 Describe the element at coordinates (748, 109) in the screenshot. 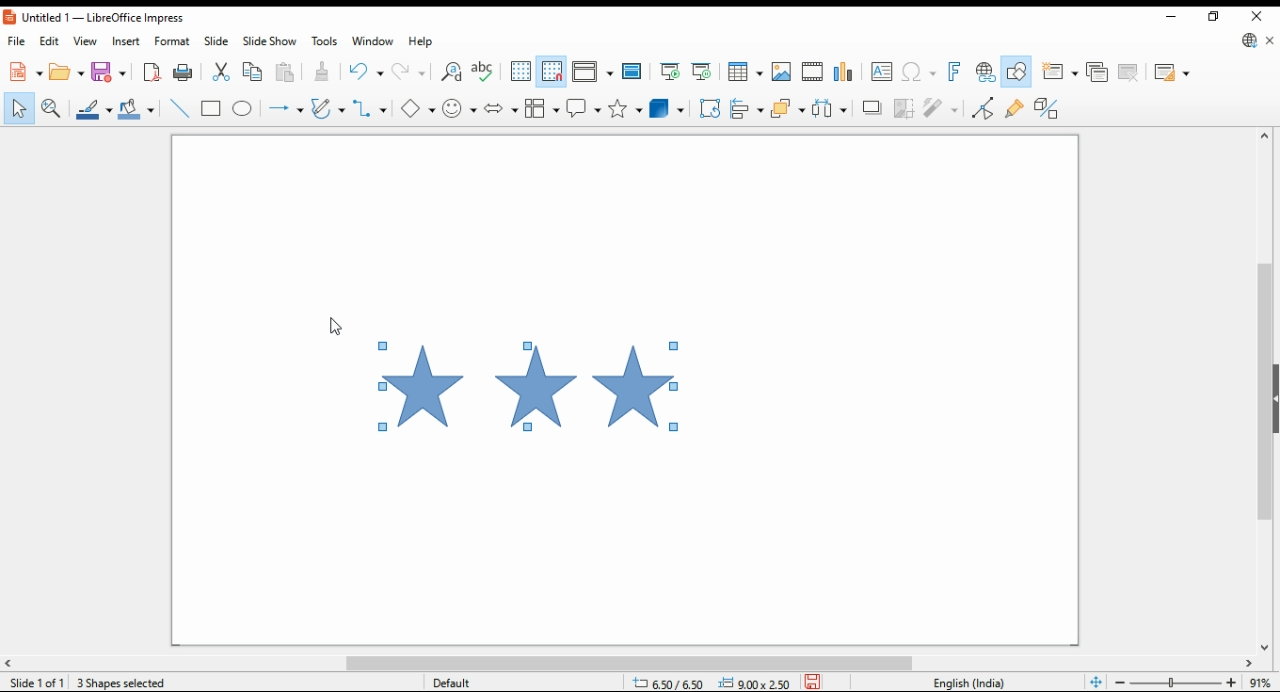

I see `align objects` at that location.